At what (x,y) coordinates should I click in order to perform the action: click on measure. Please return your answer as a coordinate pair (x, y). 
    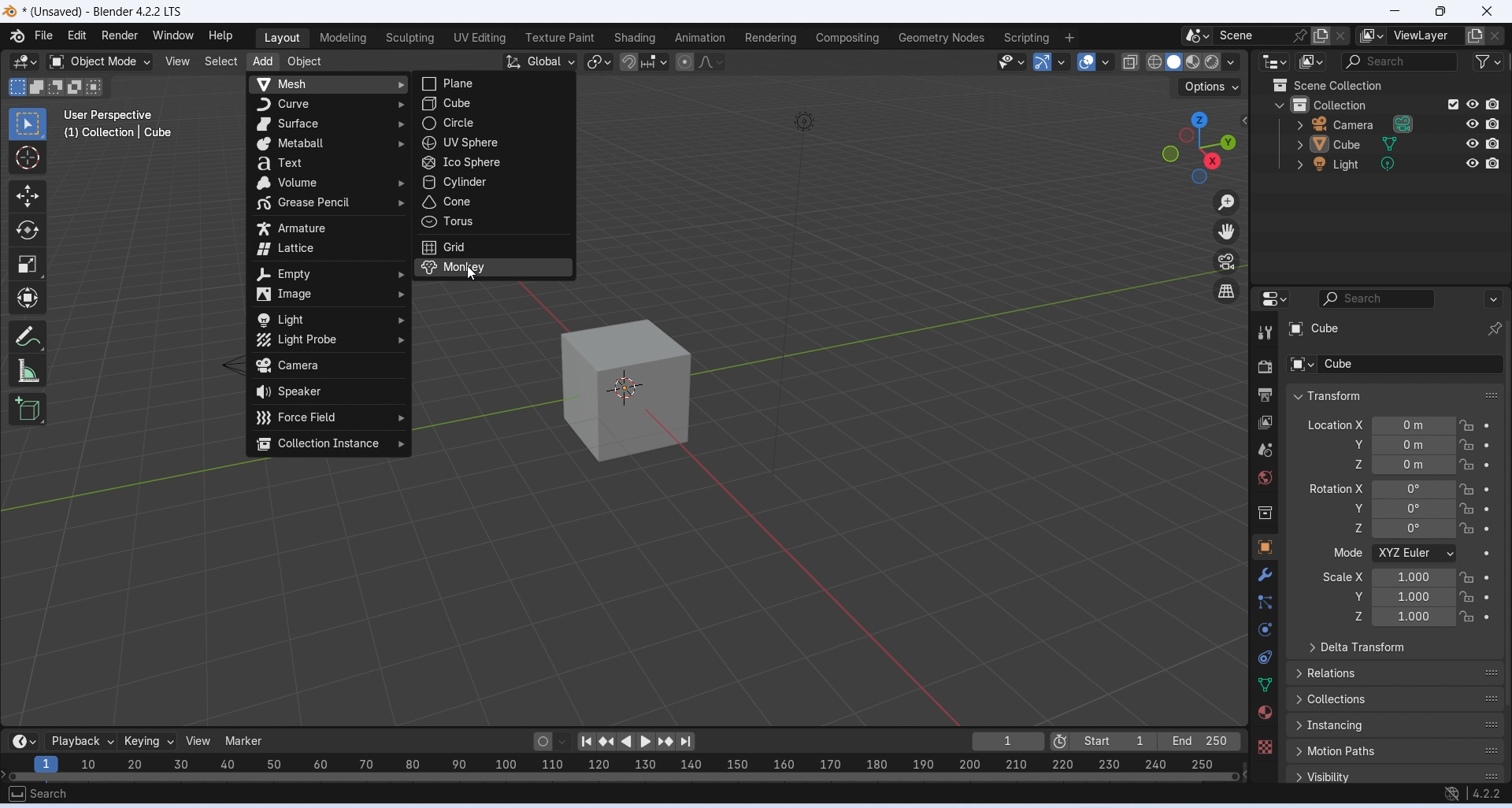
    Looking at the image, I should click on (28, 369).